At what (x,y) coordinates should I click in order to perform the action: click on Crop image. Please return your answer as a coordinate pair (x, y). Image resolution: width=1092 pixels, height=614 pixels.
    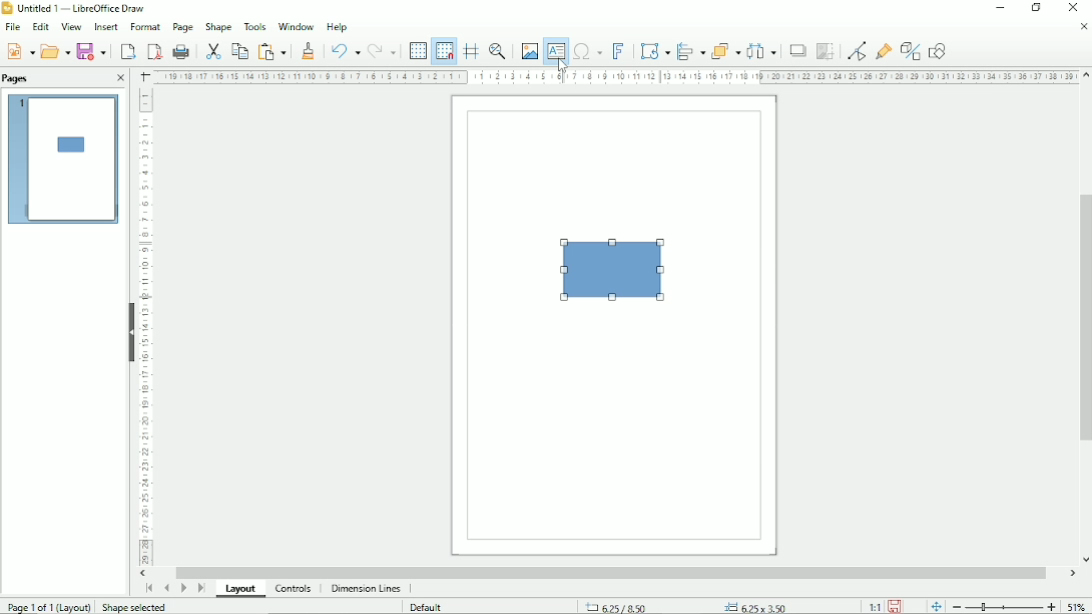
    Looking at the image, I should click on (825, 52).